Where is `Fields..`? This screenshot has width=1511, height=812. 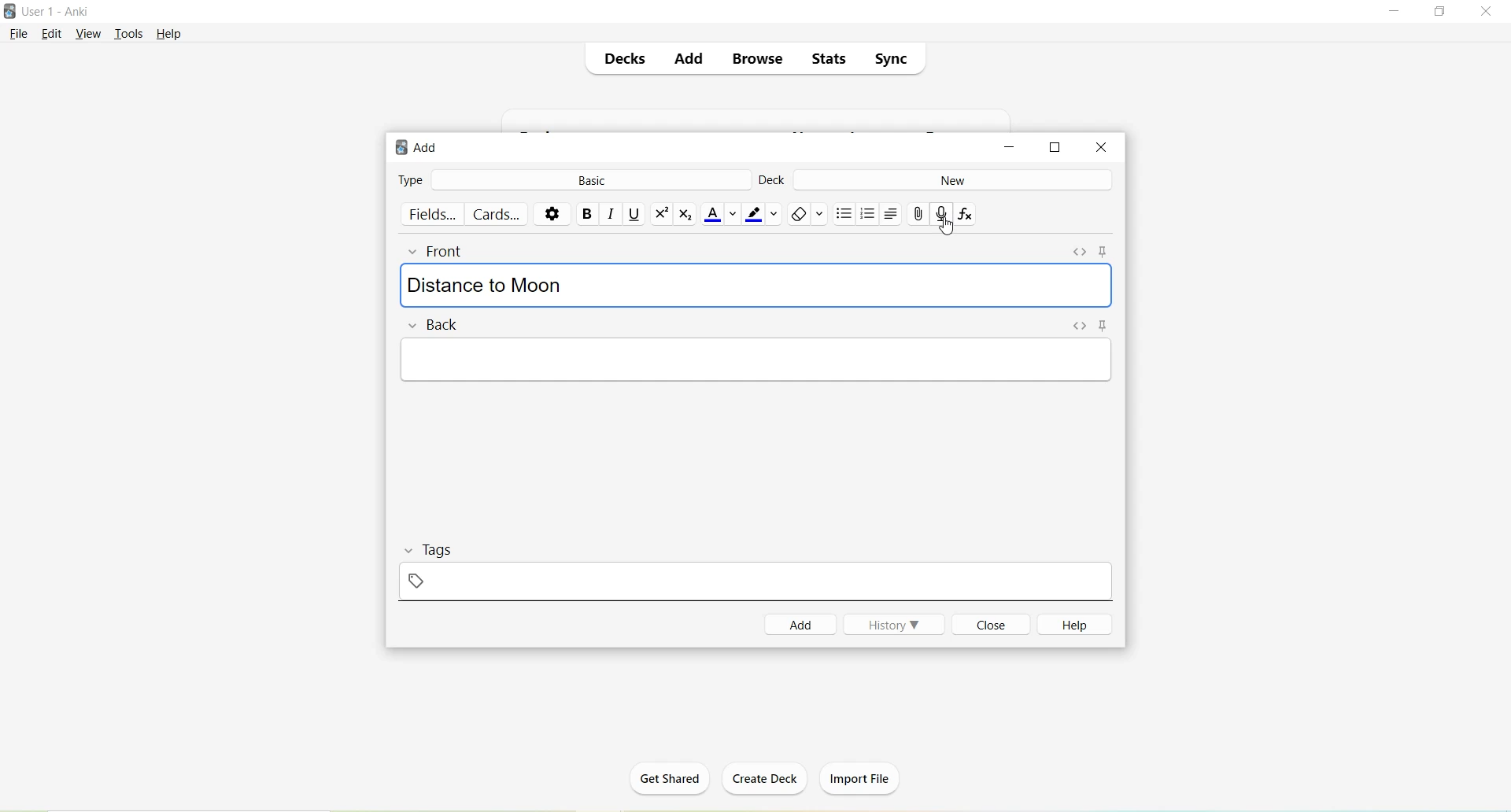 Fields.. is located at coordinates (433, 214).